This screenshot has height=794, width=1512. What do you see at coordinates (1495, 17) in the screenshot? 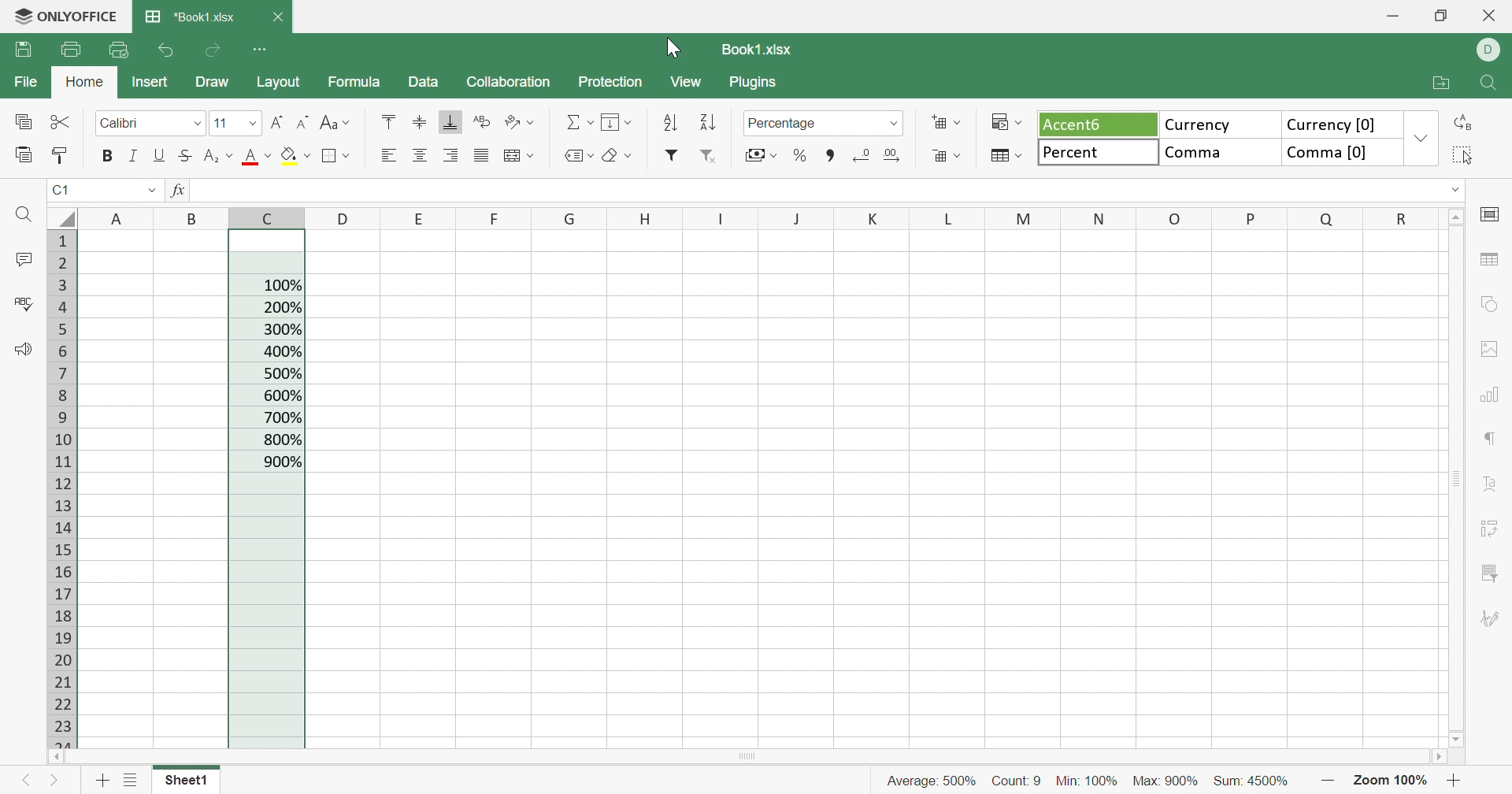
I see `Close` at bounding box center [1495, 17].